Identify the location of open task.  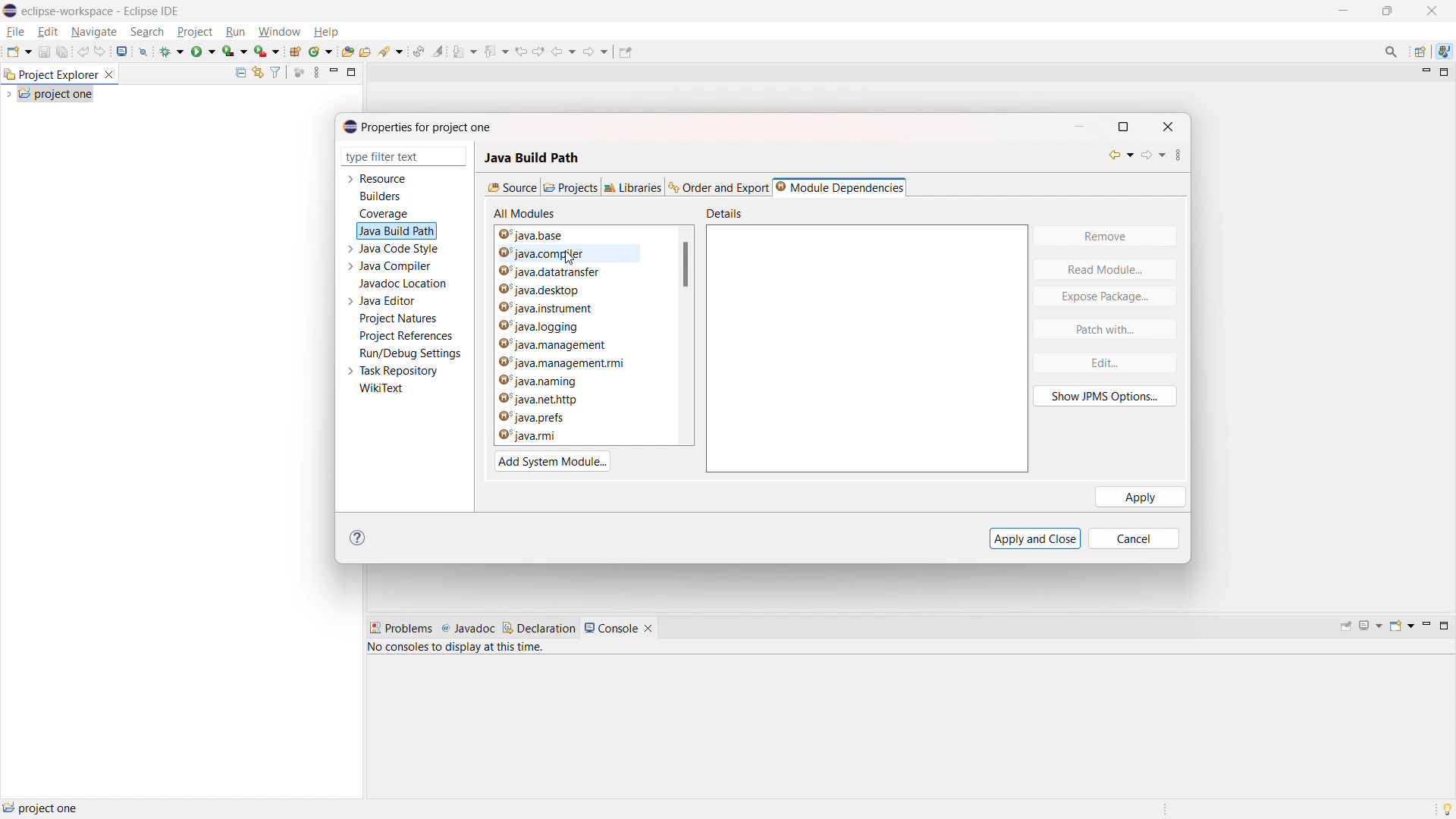
(366, 51).